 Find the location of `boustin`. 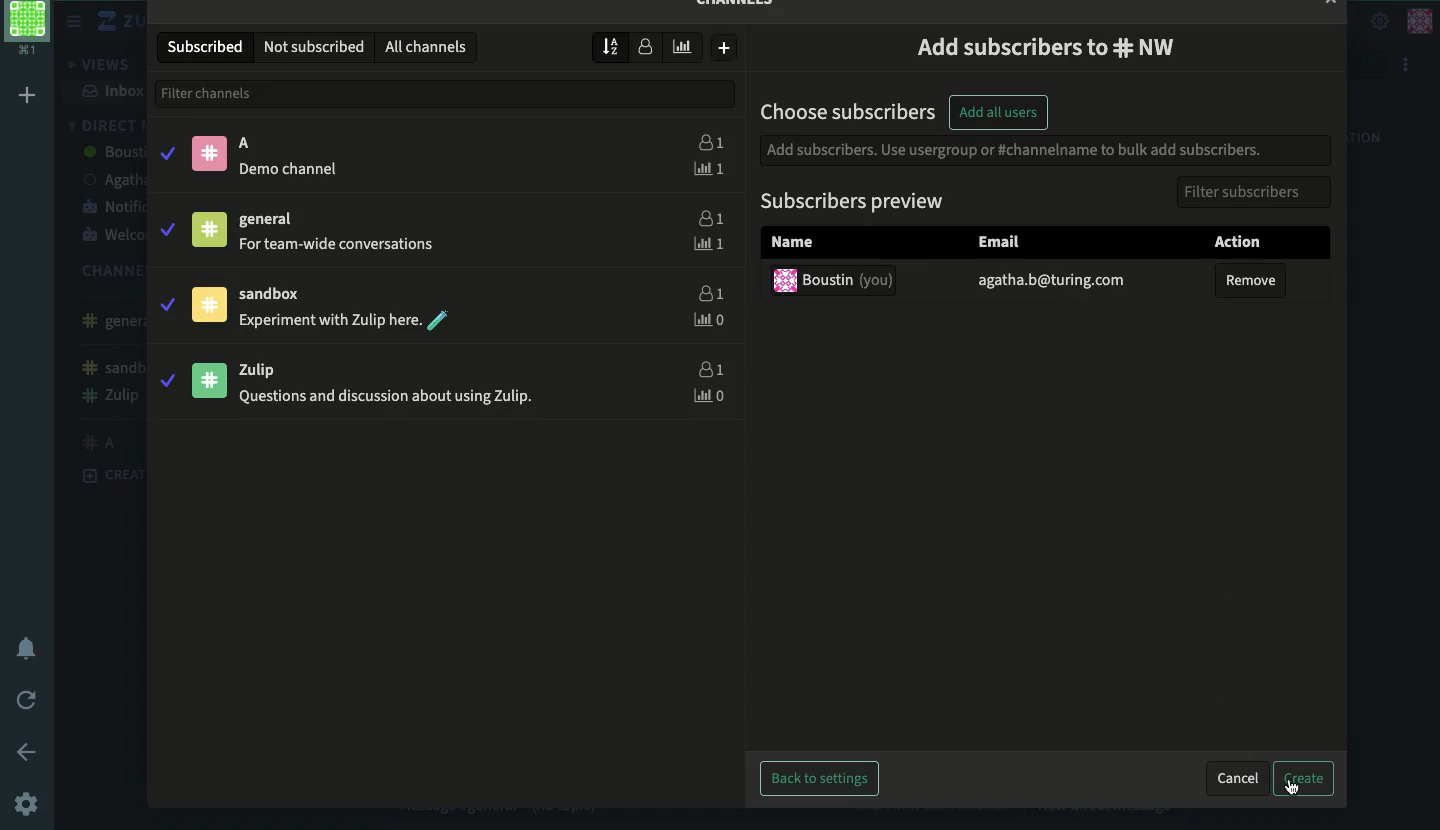

boustin is located at coordinates (834, 281).